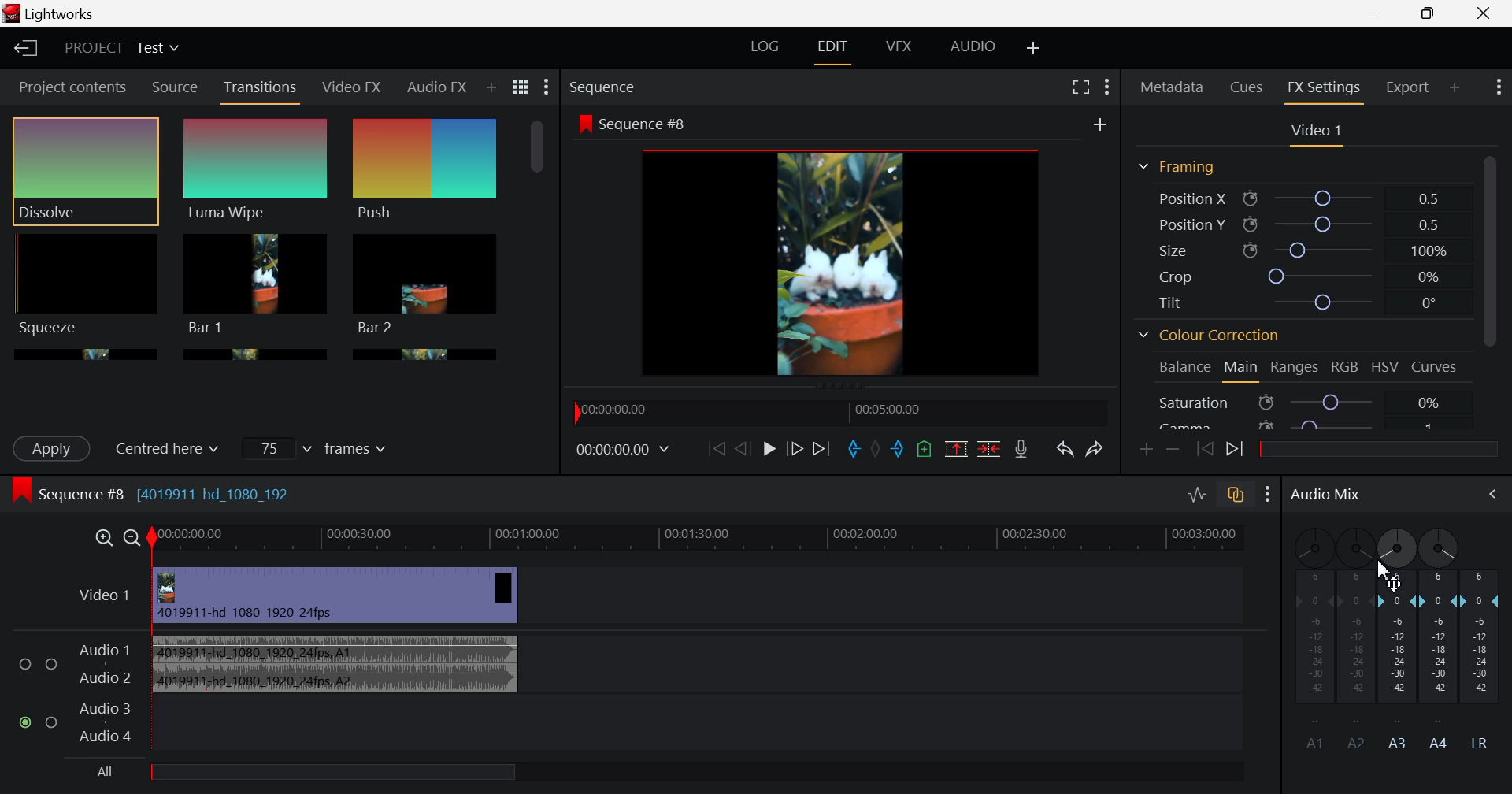 The width and height of the screenshot is (1512, 794). Describe the element at coordinates (713, 538) in the screenshot. I see `Timeline Track` at that location.